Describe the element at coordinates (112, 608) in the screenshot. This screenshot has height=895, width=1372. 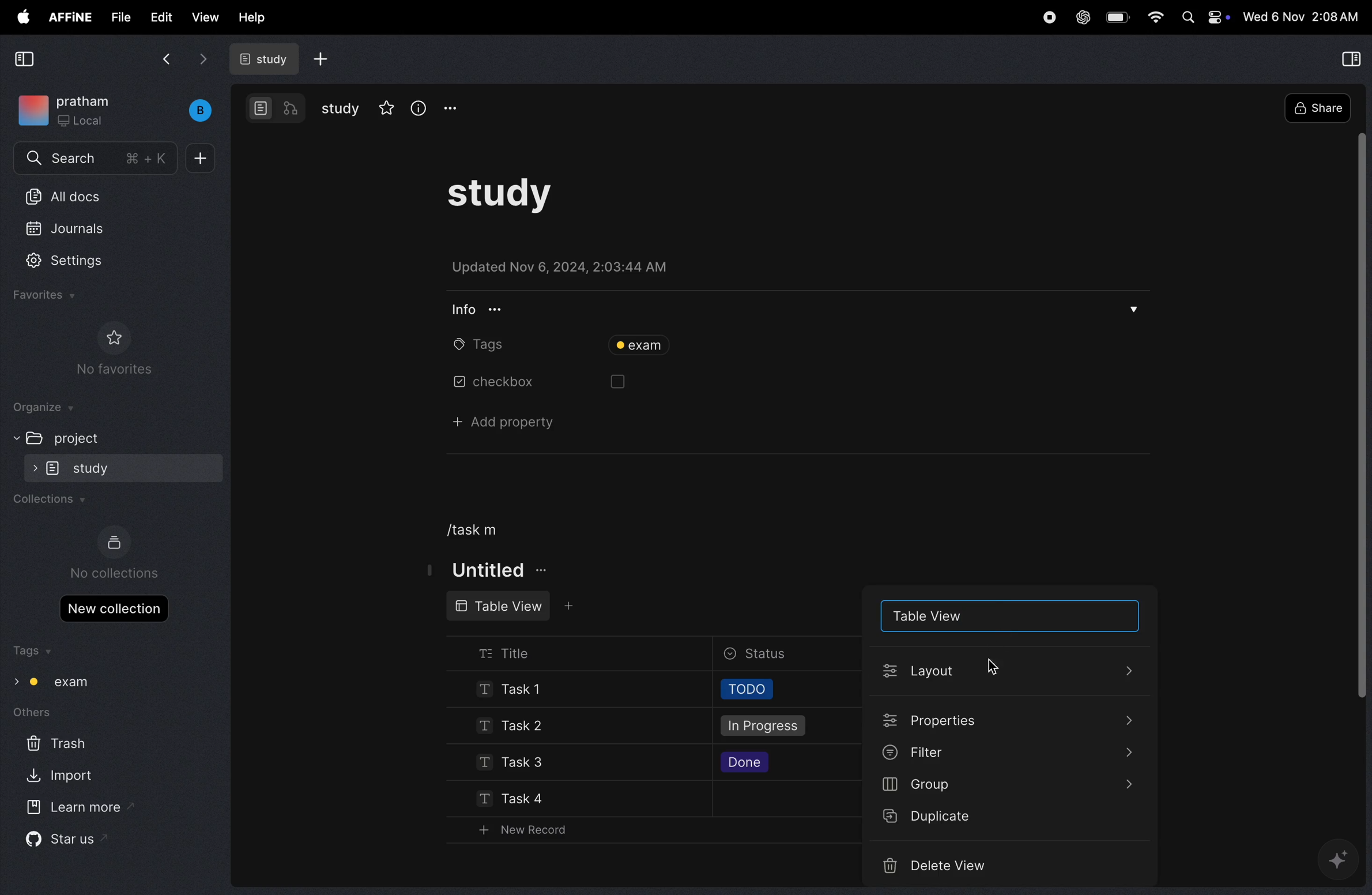
I see `new collections` at that location.